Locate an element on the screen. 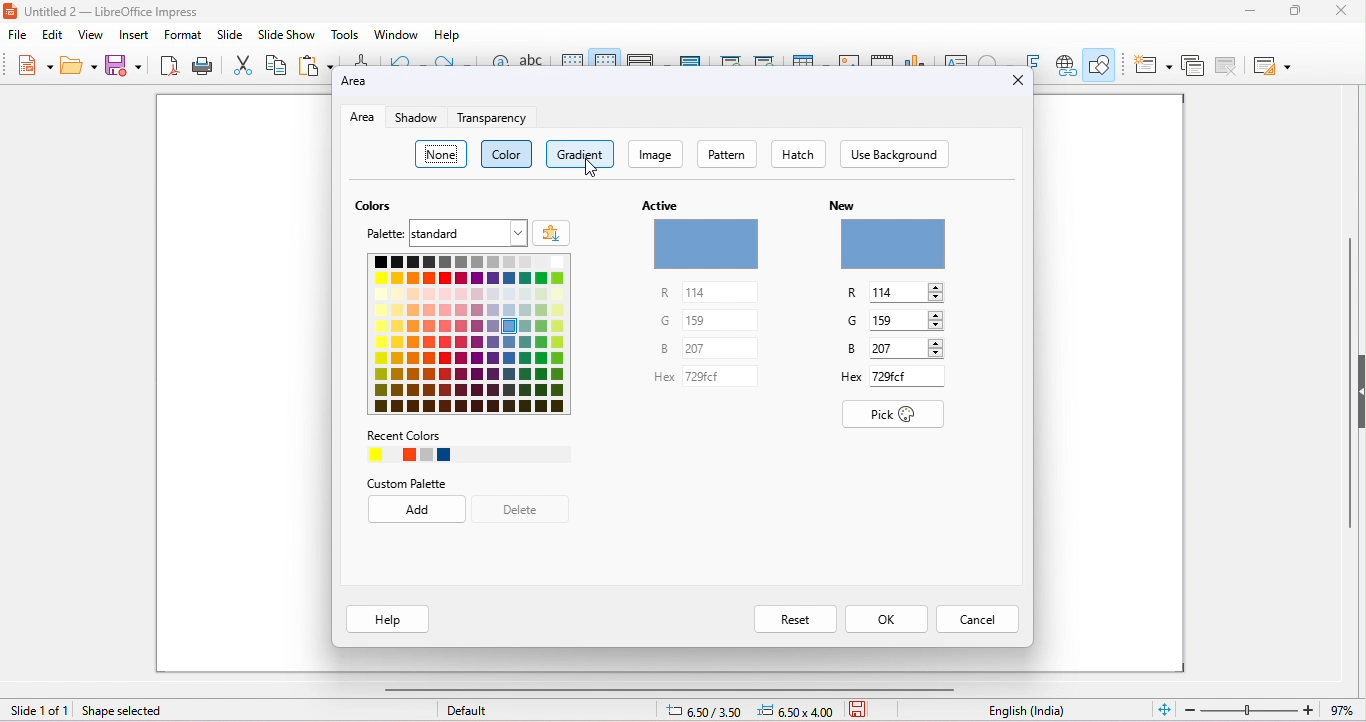 This screenshot has width=1366, height=722. print is located at coordinates (201, 64).